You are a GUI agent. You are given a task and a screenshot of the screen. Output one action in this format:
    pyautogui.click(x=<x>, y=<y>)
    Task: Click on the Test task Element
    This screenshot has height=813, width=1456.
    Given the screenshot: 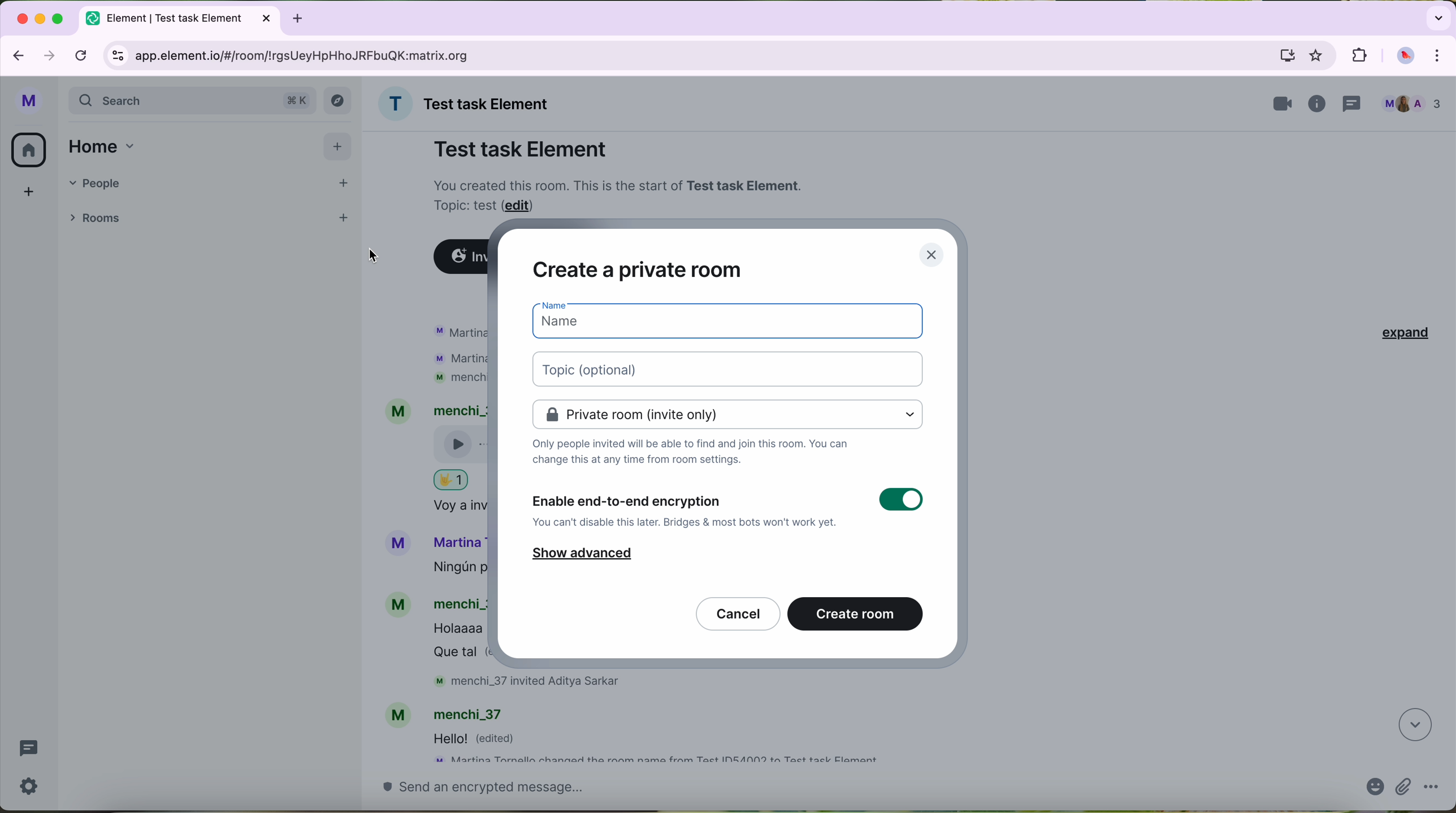 What is the action you would take?
    pyautogui.click(x=521, y=149)
    